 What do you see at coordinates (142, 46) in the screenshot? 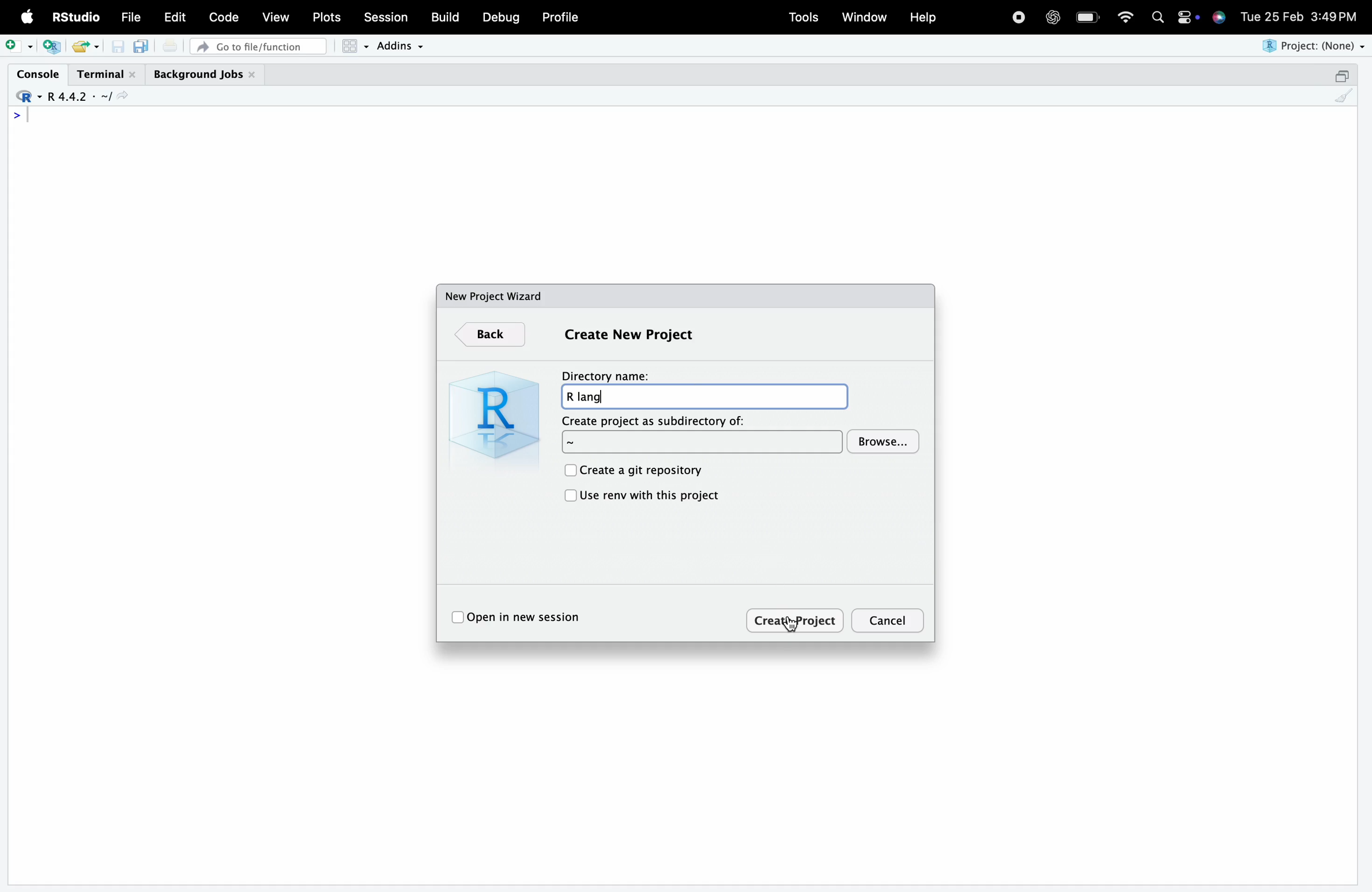
I see `Save all open documents` at bounding box center [142, 46].